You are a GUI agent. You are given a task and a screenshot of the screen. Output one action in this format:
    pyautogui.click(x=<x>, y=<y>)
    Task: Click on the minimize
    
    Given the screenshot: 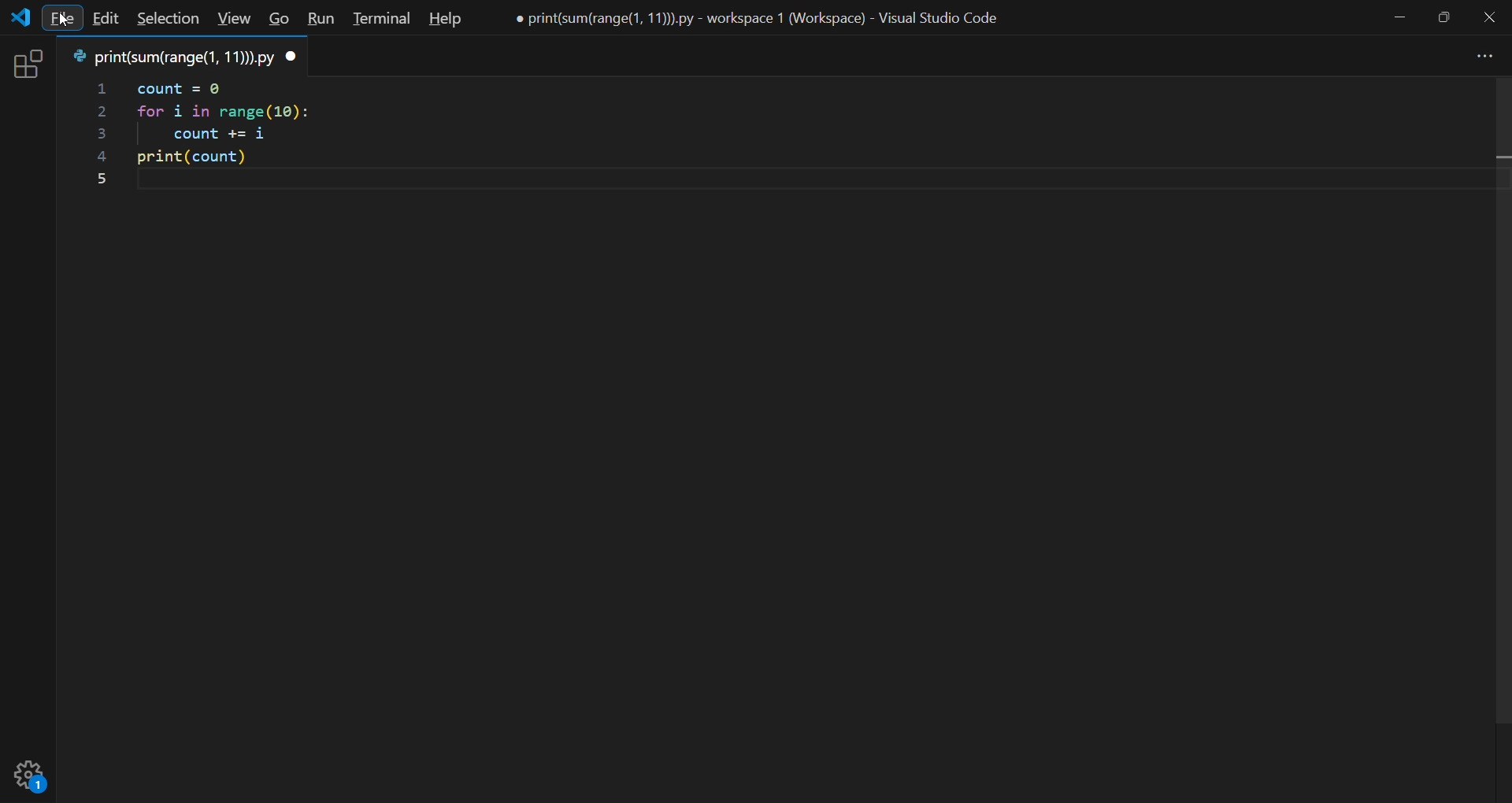 What is the action you would take?
    pyautogui.click(x=1399, y=18)
    